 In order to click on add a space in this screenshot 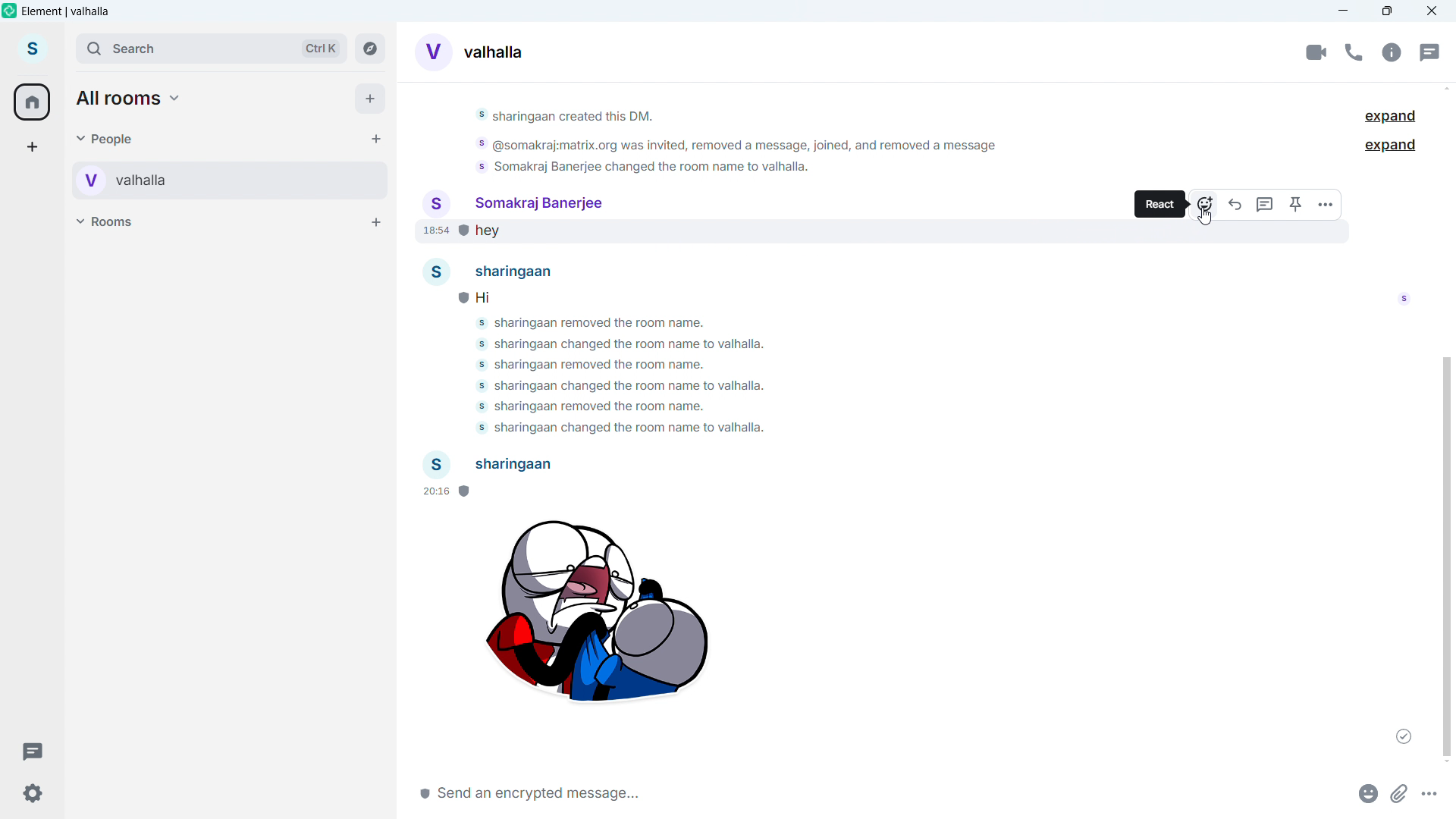, I will do `click(32, 147)`.